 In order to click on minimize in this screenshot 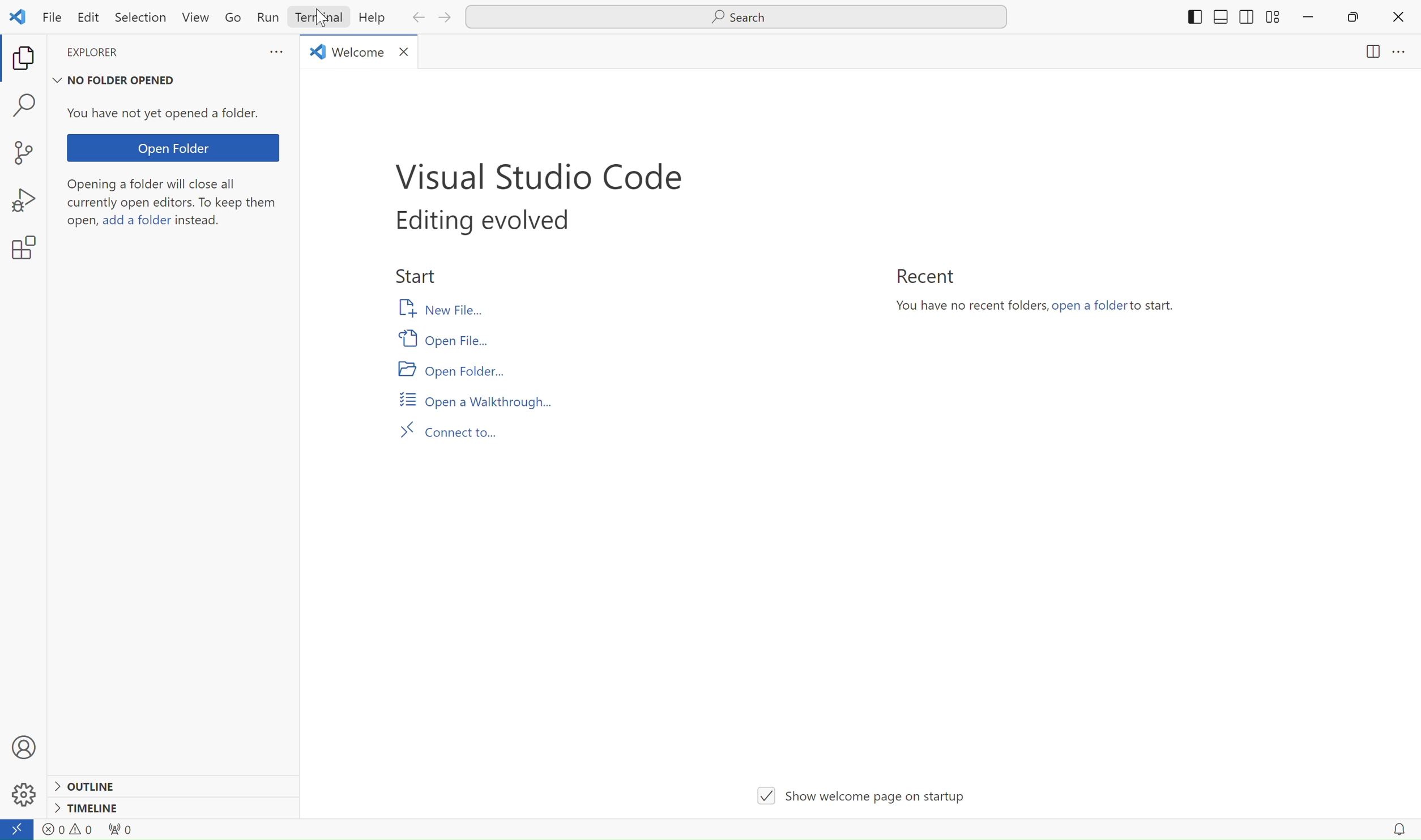, I will do `click(1307, 18)`.